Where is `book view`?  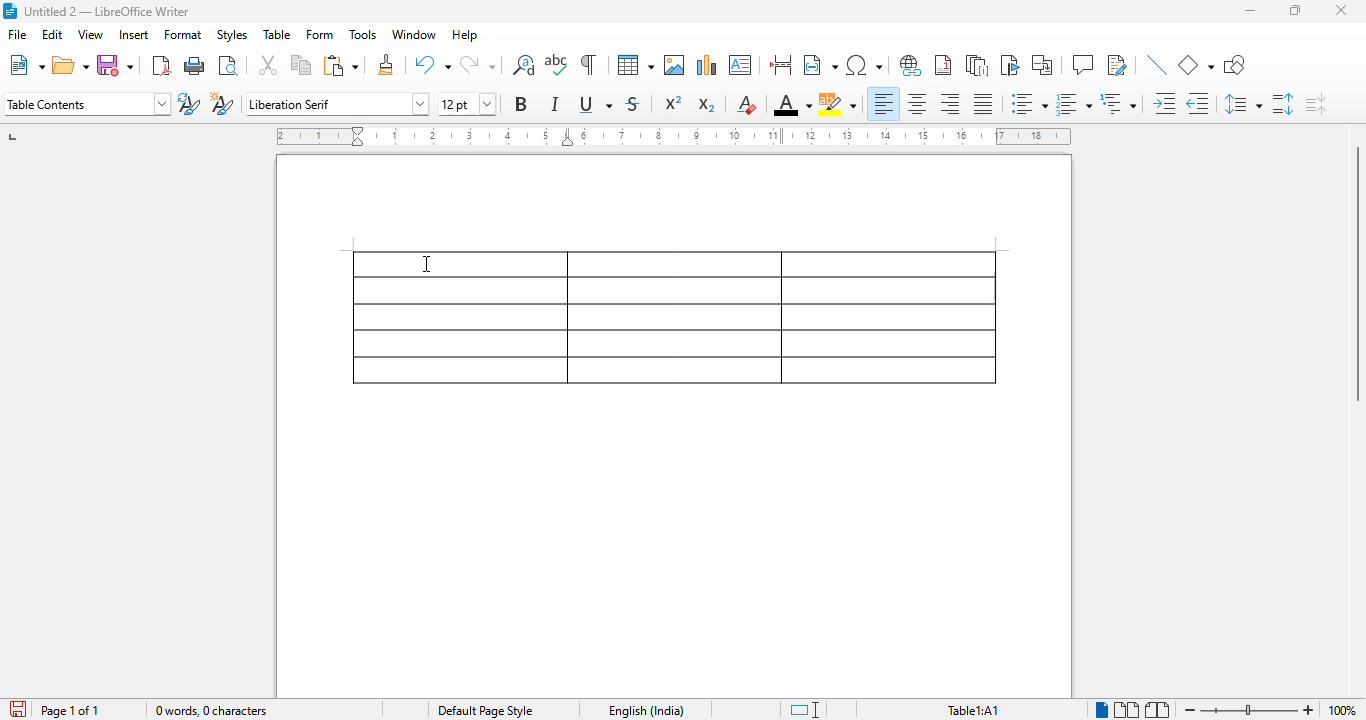 book view is located at coordinates (1158, 710).